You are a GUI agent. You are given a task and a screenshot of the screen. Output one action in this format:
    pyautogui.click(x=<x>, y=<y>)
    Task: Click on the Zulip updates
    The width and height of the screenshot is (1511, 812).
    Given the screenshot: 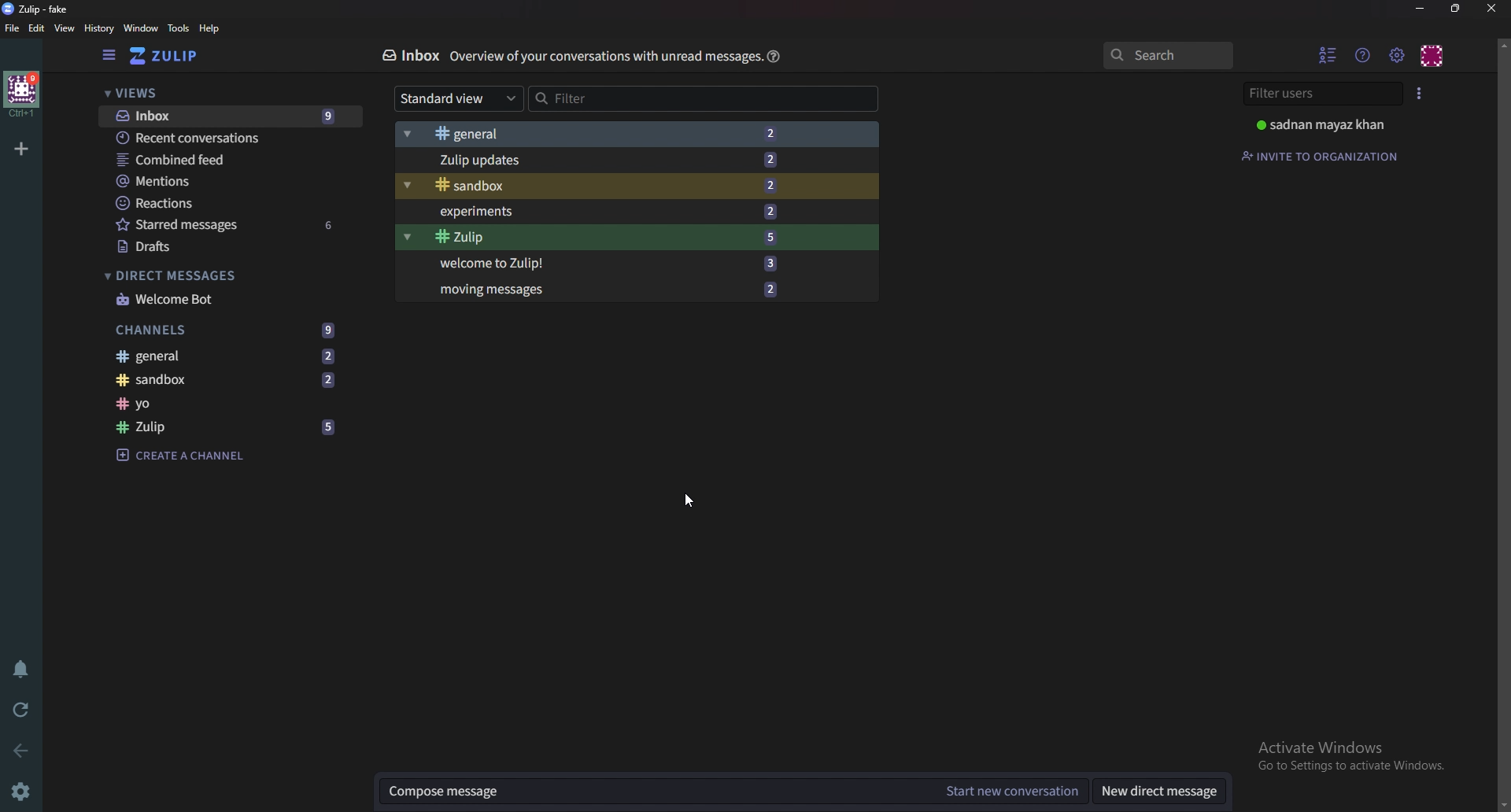 What is the action you would take?
    pyautogui.click(x=633, y=158)
    